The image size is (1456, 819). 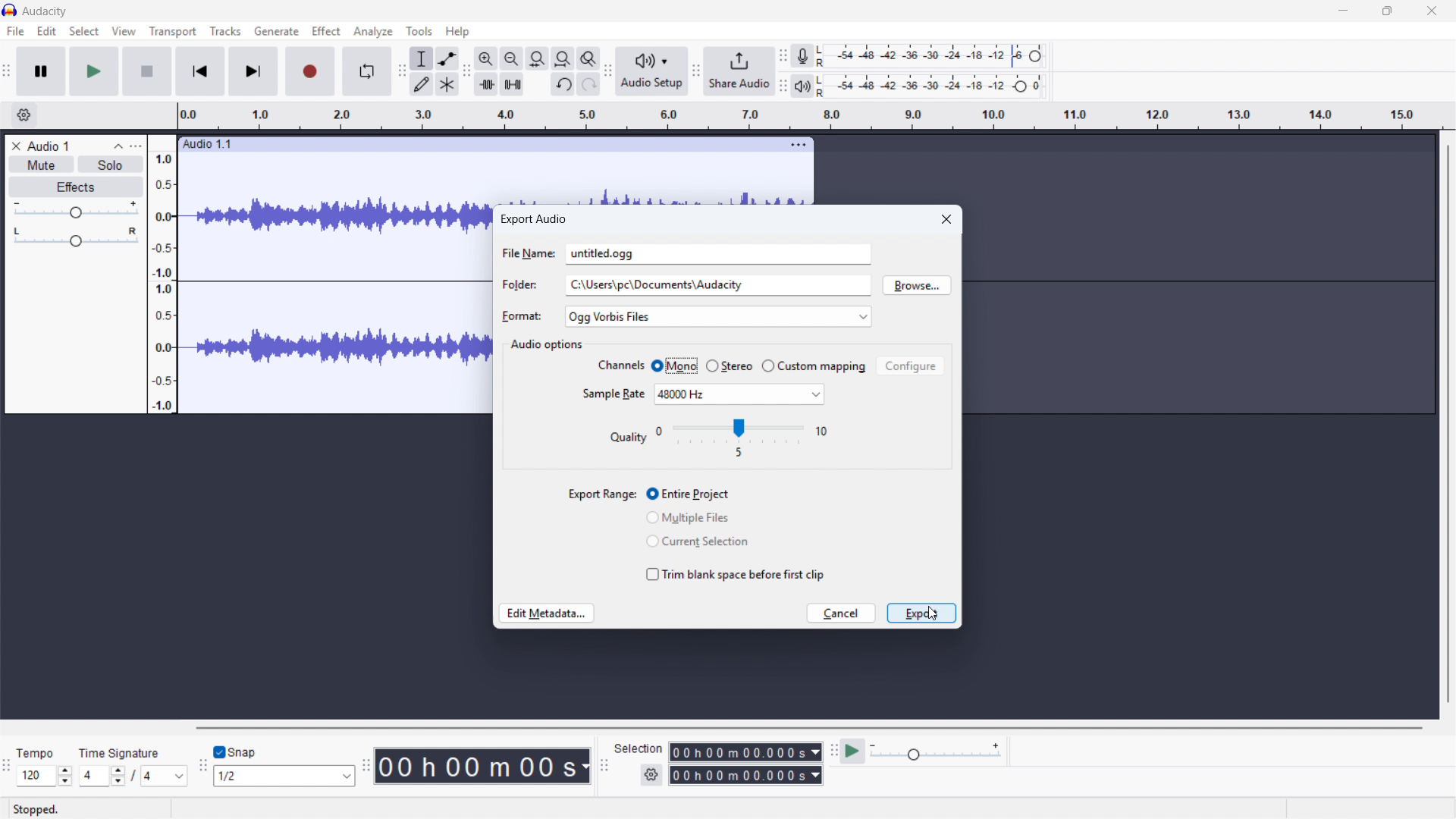 I want to click on stop , so click(x=147, y=71).